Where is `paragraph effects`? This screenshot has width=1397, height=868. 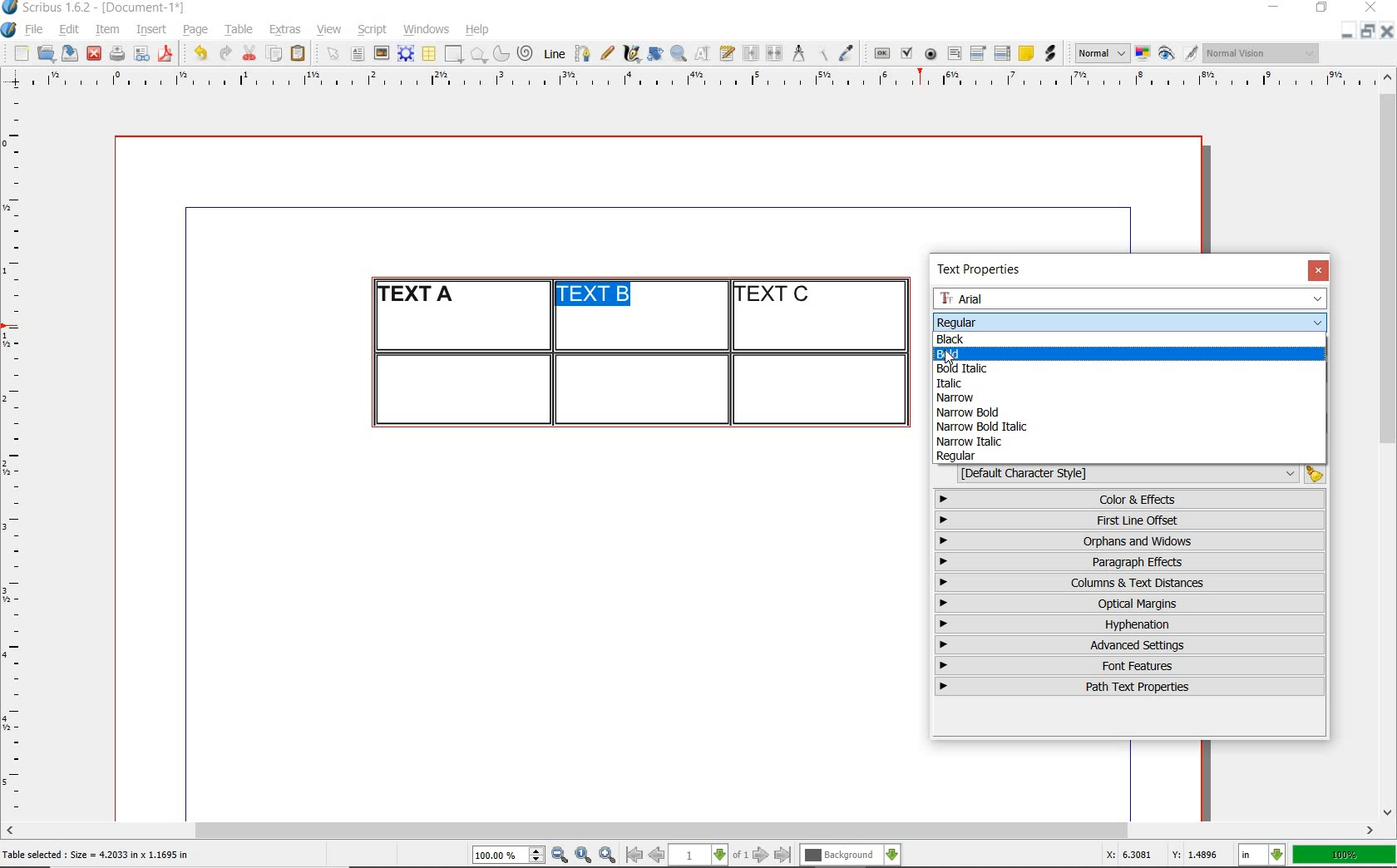 paragraph effects is located at coordinates (1128, 561).